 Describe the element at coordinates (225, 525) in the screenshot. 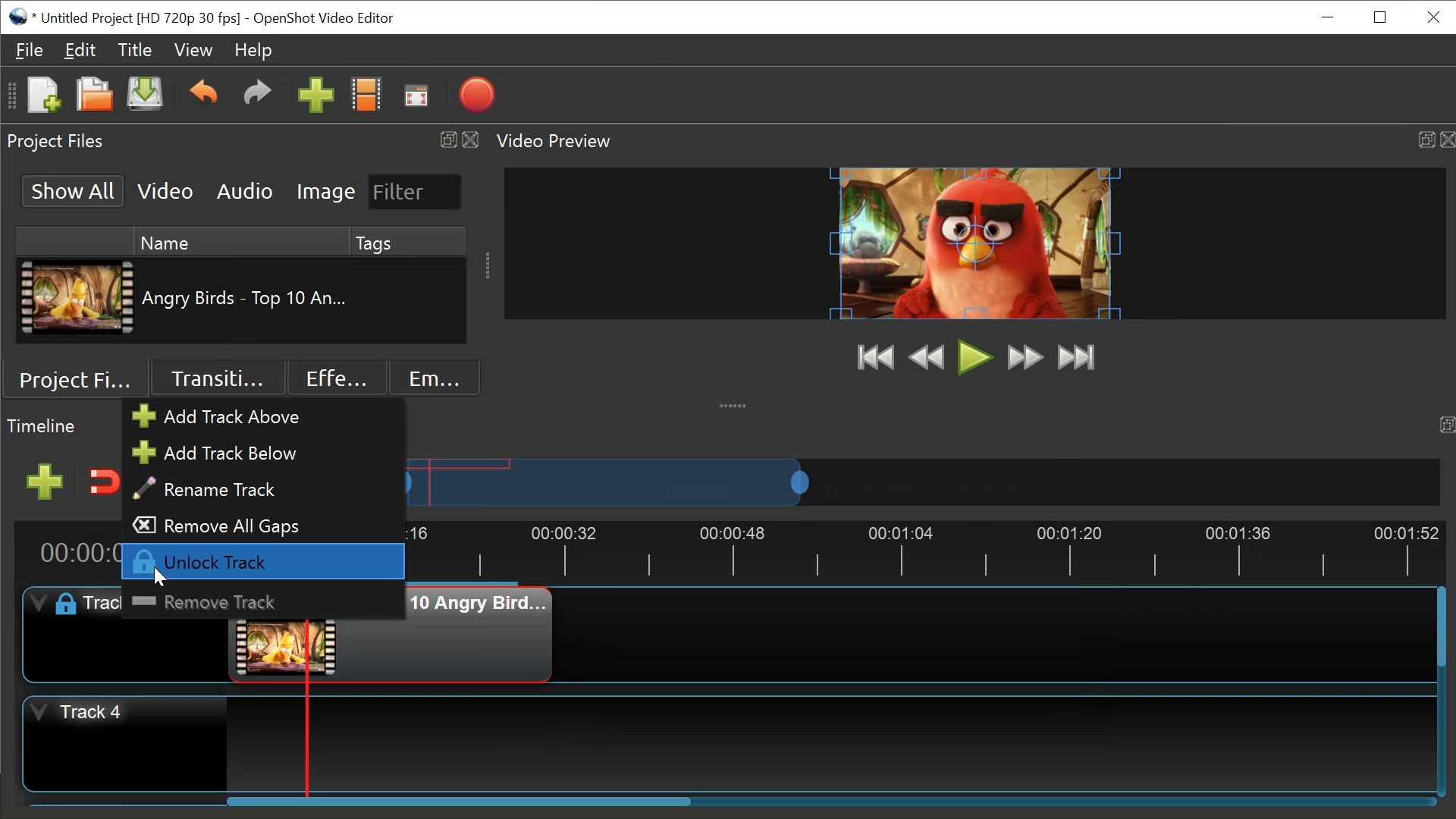

I see `Remove all Gaps` at that location.